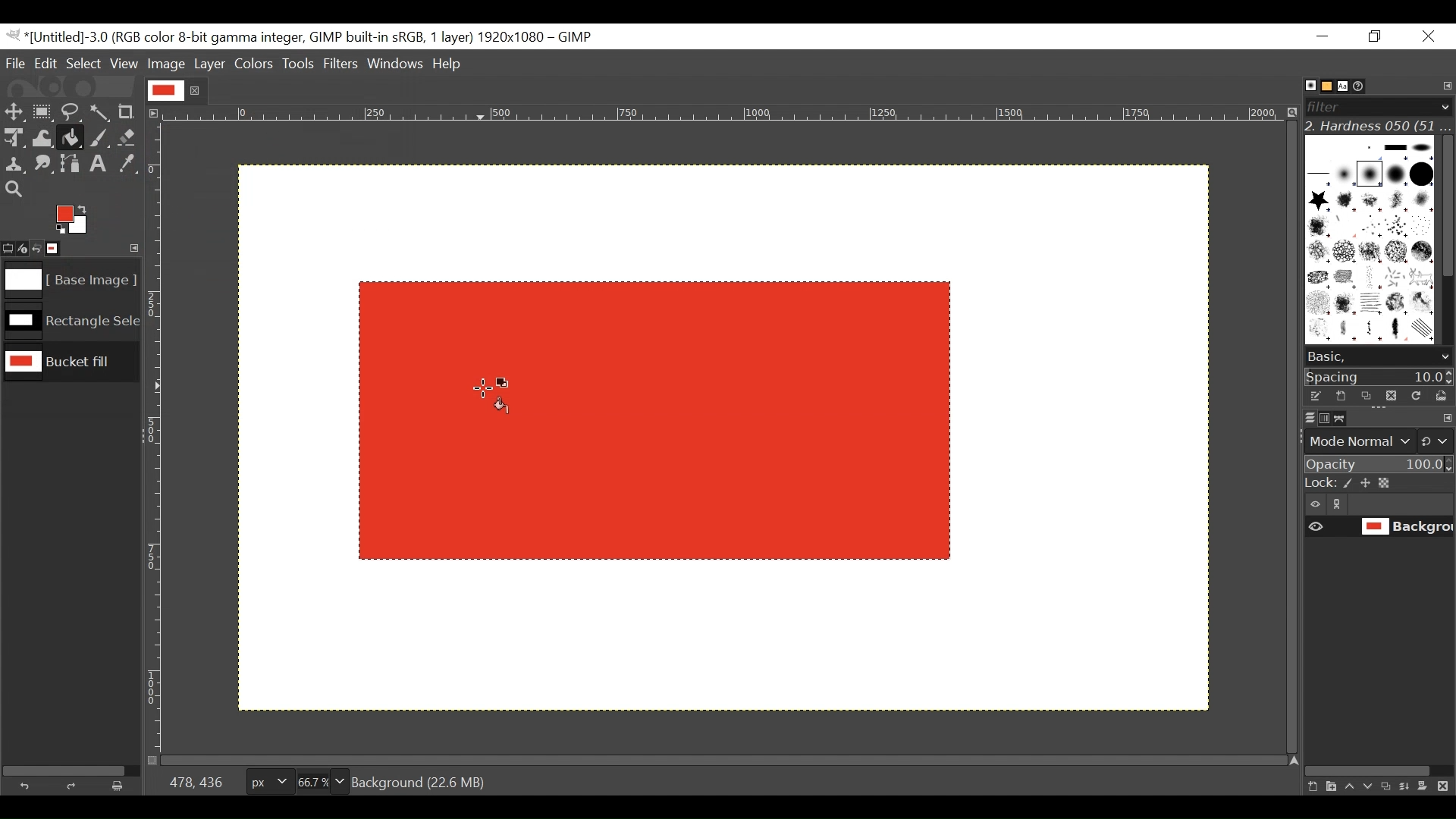 This screenshot has height=819, width=1456. Describe the element at coordinates (77, 217) in the screenshot. I see `Active Foreground color` at that location.